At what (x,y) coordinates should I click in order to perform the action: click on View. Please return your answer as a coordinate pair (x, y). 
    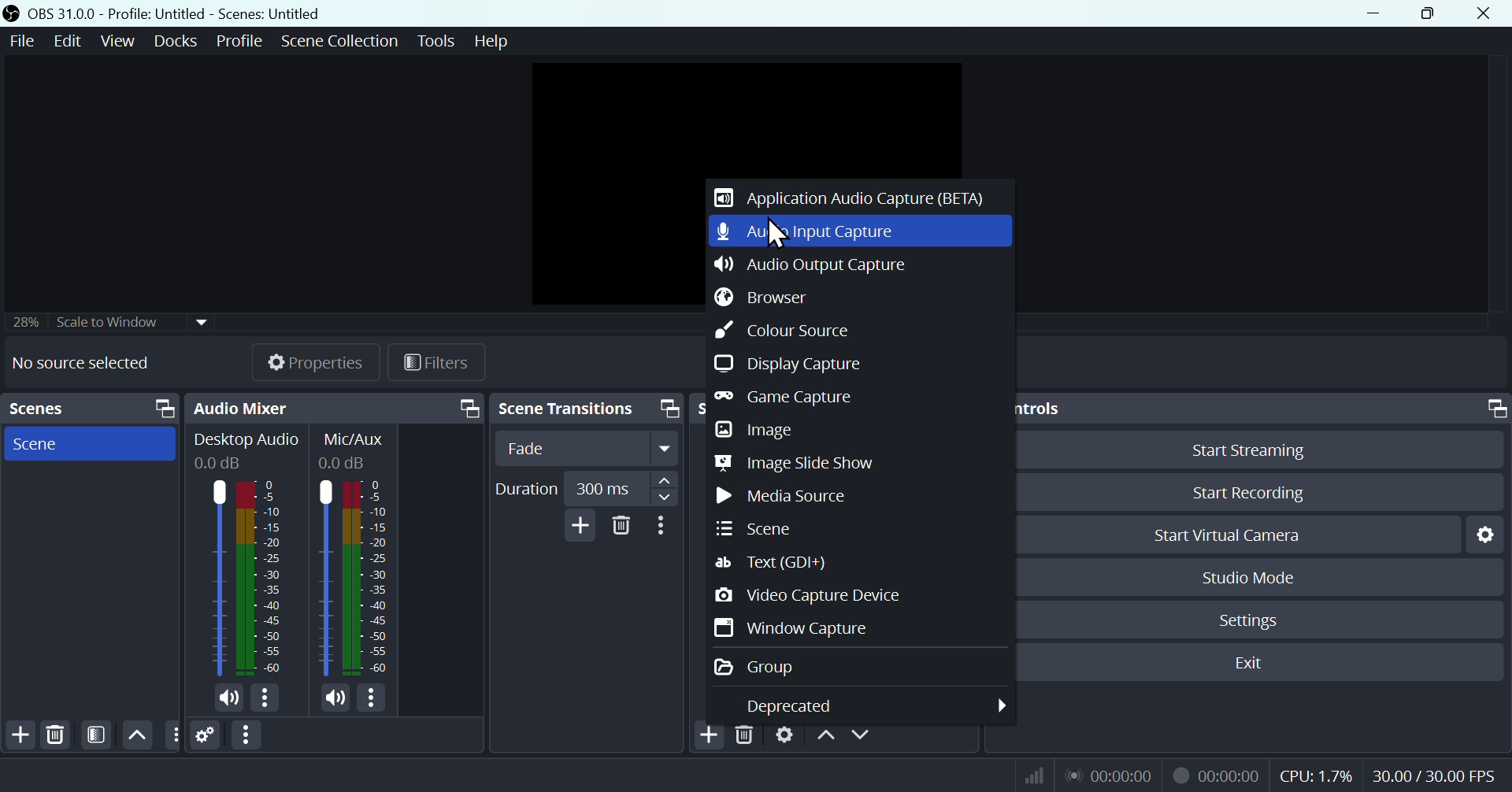
    Looking at the image, I should click on (120, 41).